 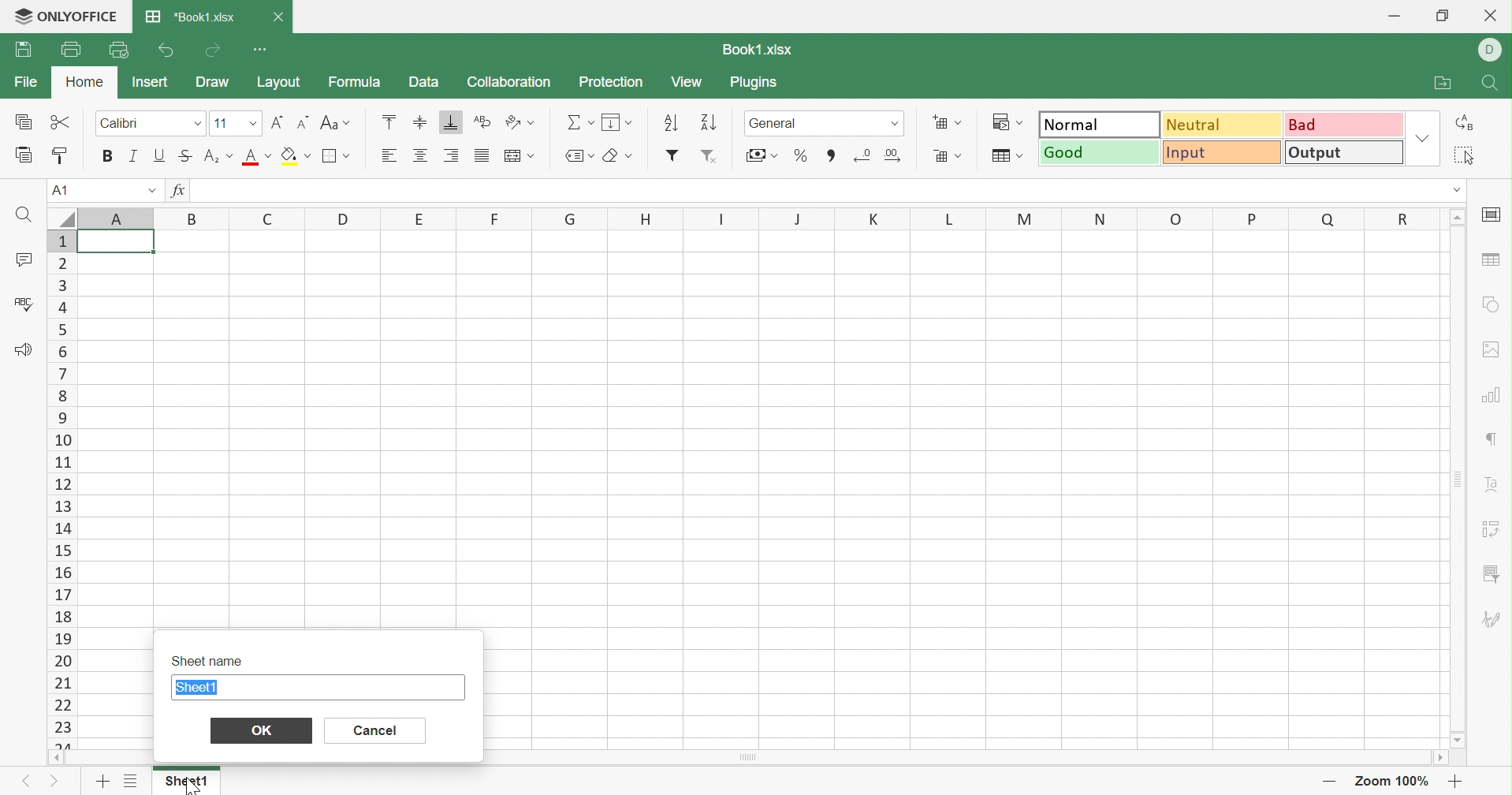 What do you see at coordinates (338, 121) in the screenshot?
I see `Change case` at bounding box center [338, 121].